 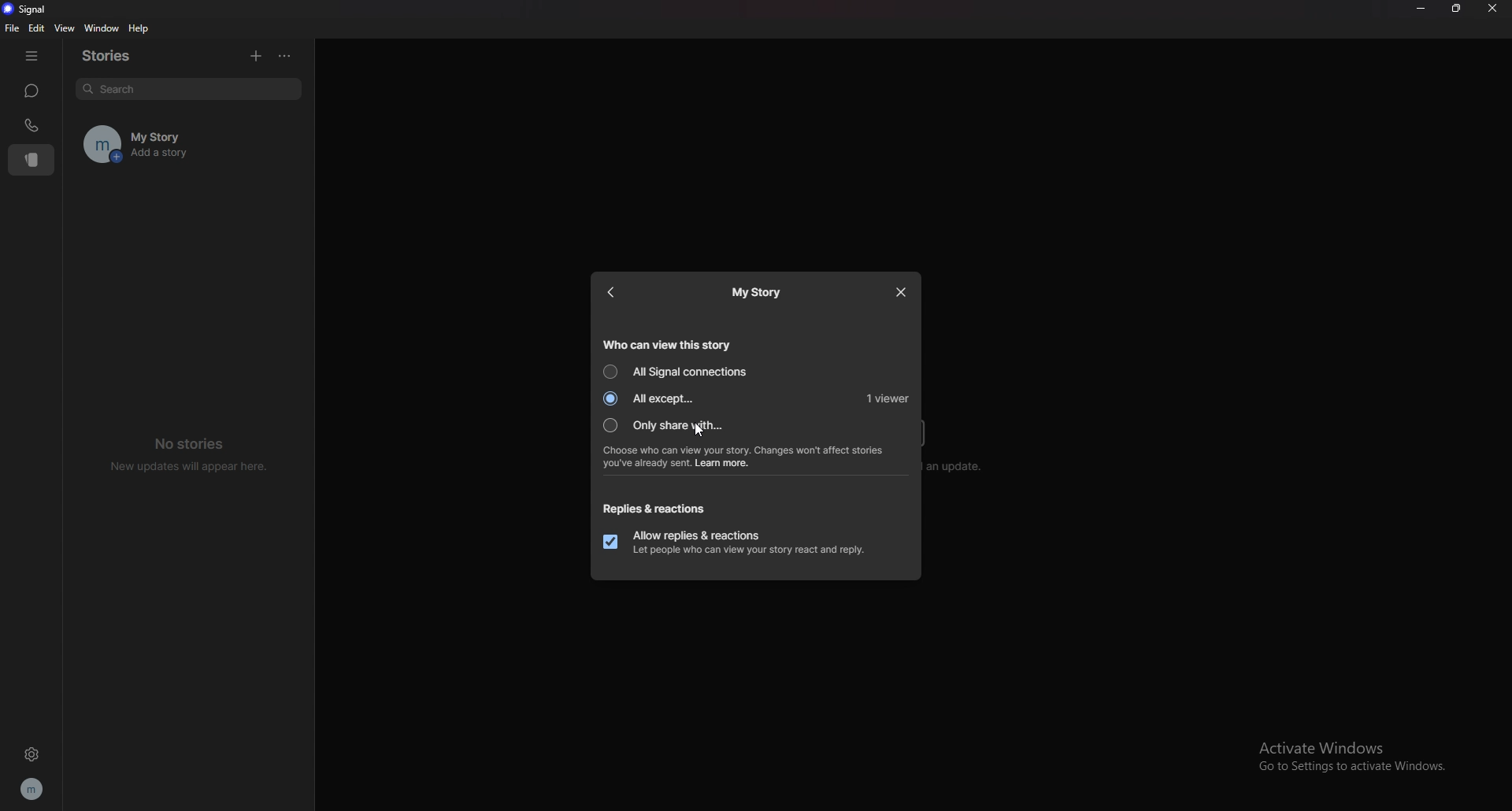 I want to click on all except, so click(x=658, y=399).